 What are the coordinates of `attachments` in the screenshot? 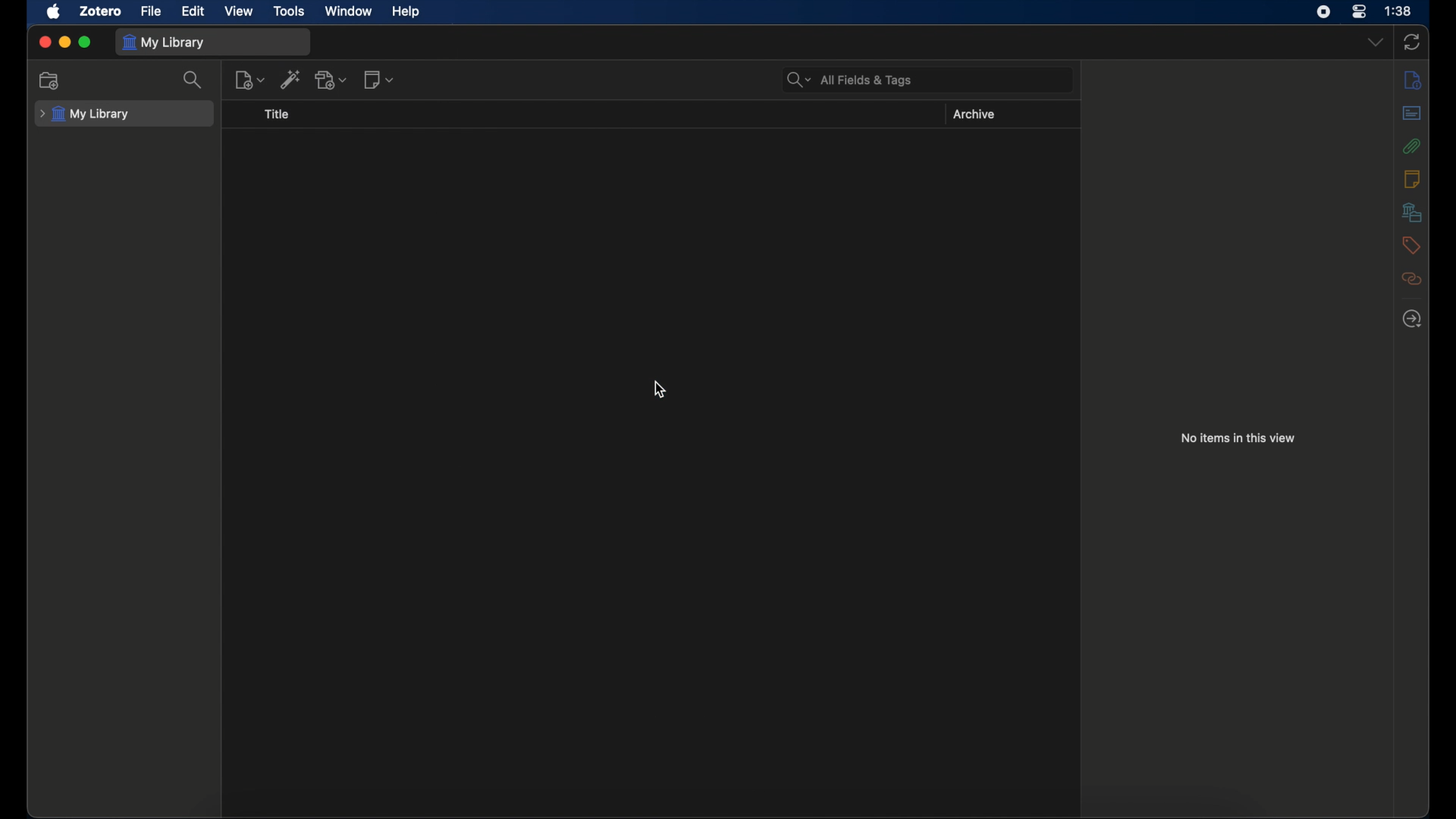 It's located at (1412, 146).